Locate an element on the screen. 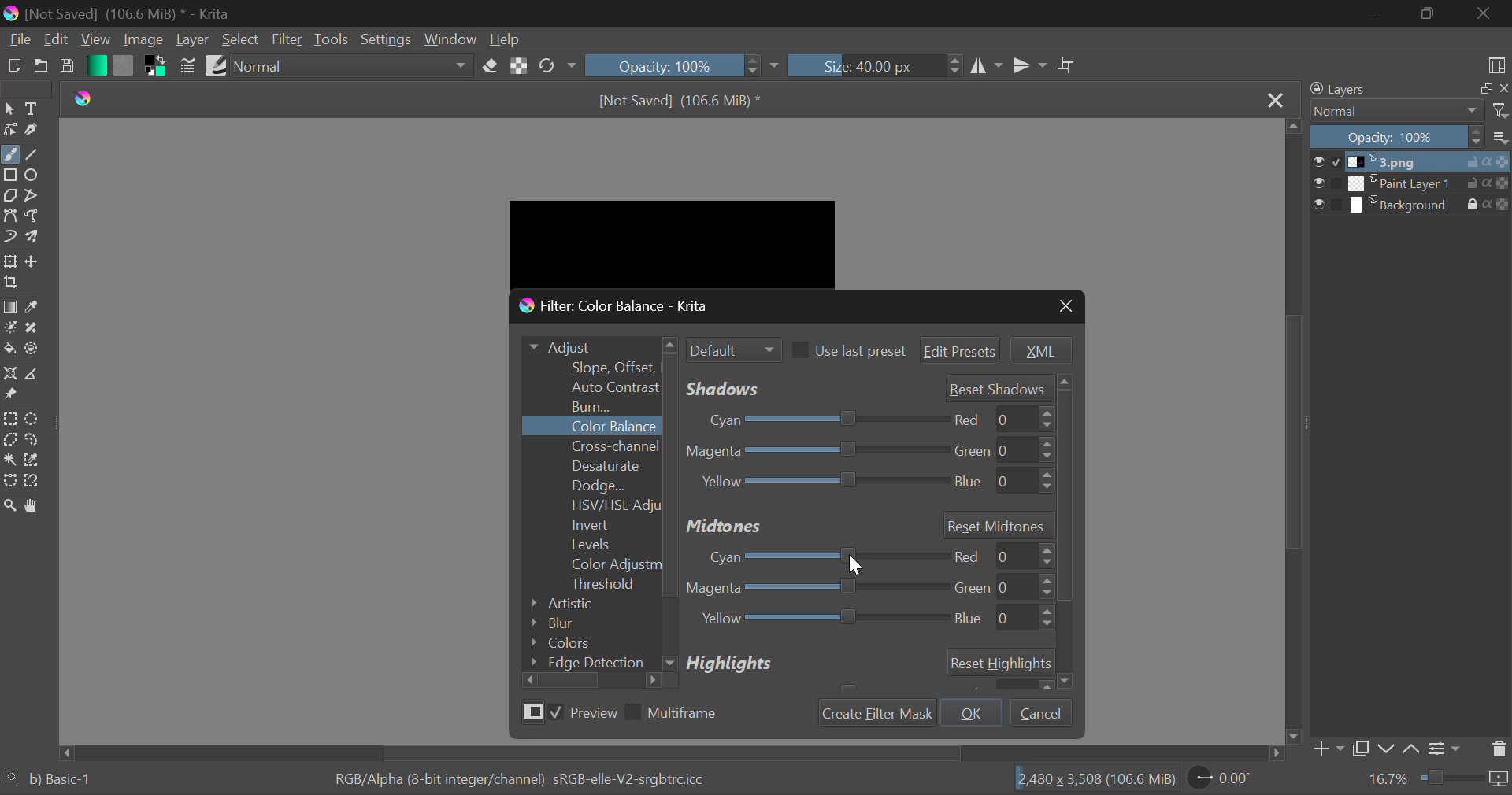  Cyan-Red Adjustment Slider is located at coordinates (818, 556).